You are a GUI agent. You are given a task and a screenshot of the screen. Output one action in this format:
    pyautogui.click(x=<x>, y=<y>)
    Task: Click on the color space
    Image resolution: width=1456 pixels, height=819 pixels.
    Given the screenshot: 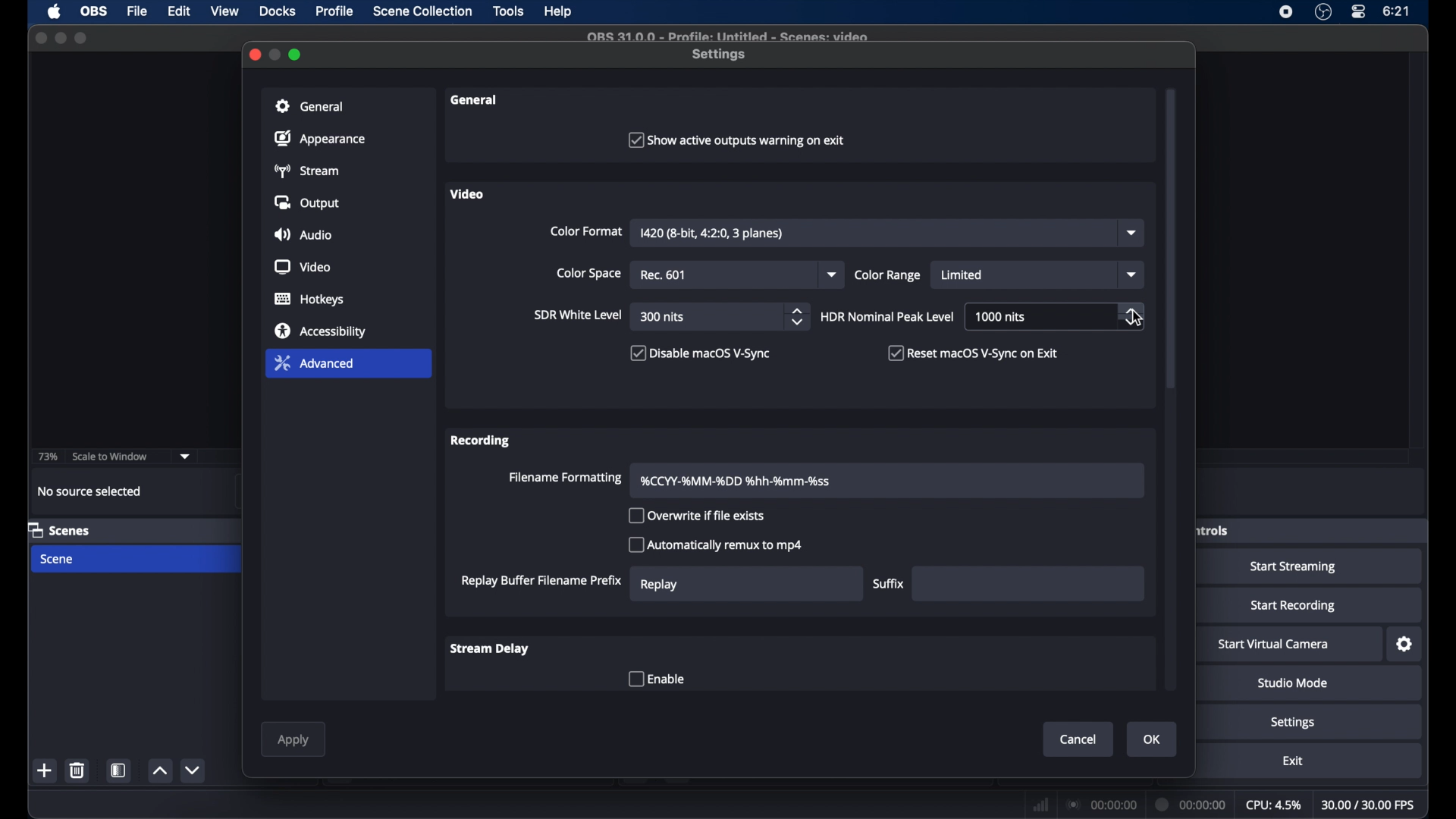 What is the action you would take?
    pyautogui.click(x=588, y=273)
    